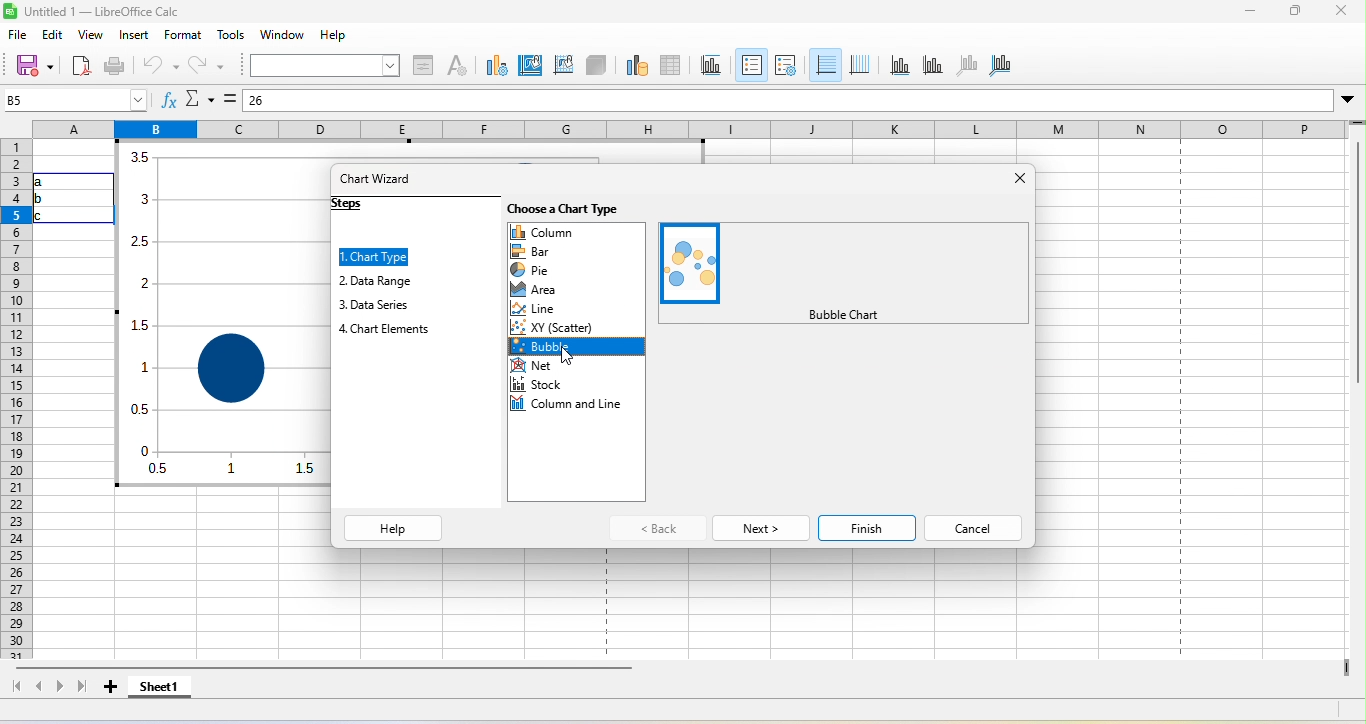 Image resolution: width=1366 pixels, height=724 pixels. What do you see at coordinates (596, 64) in the screenshot?
I see `3D ` at bounding box center [596, 64].